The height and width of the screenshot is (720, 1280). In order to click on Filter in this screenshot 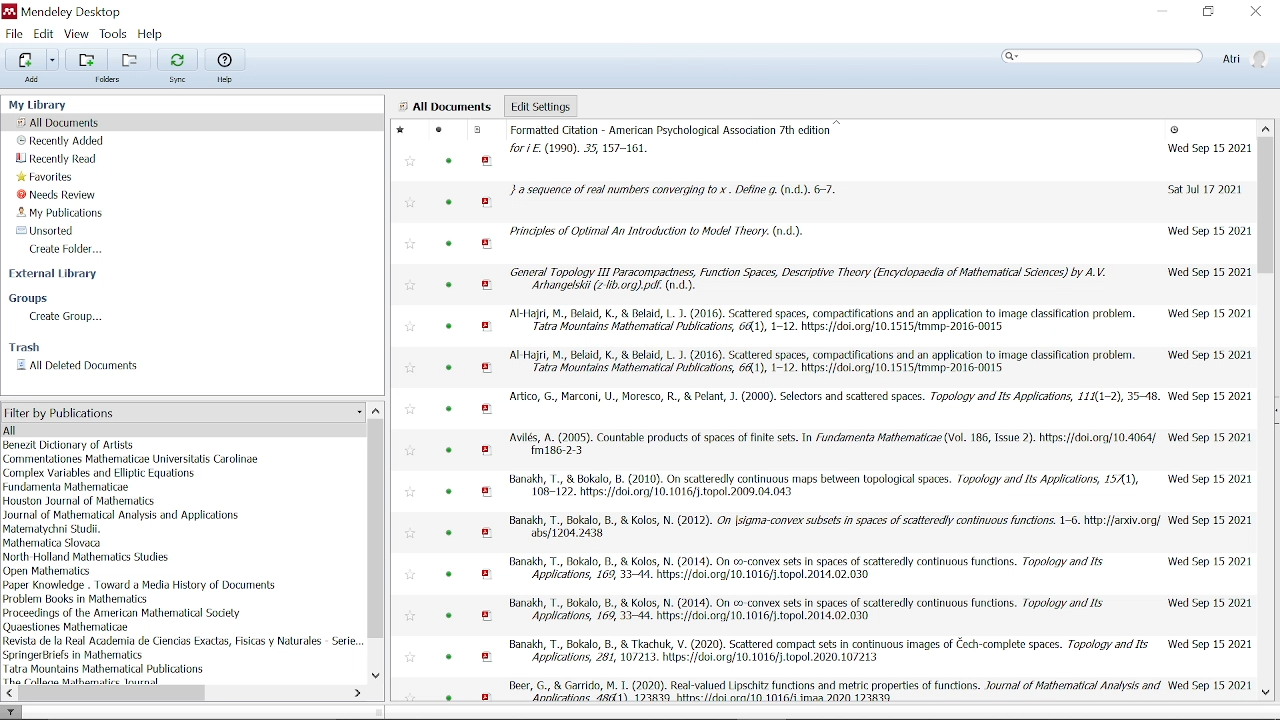, I will do `click(12, 711)`.